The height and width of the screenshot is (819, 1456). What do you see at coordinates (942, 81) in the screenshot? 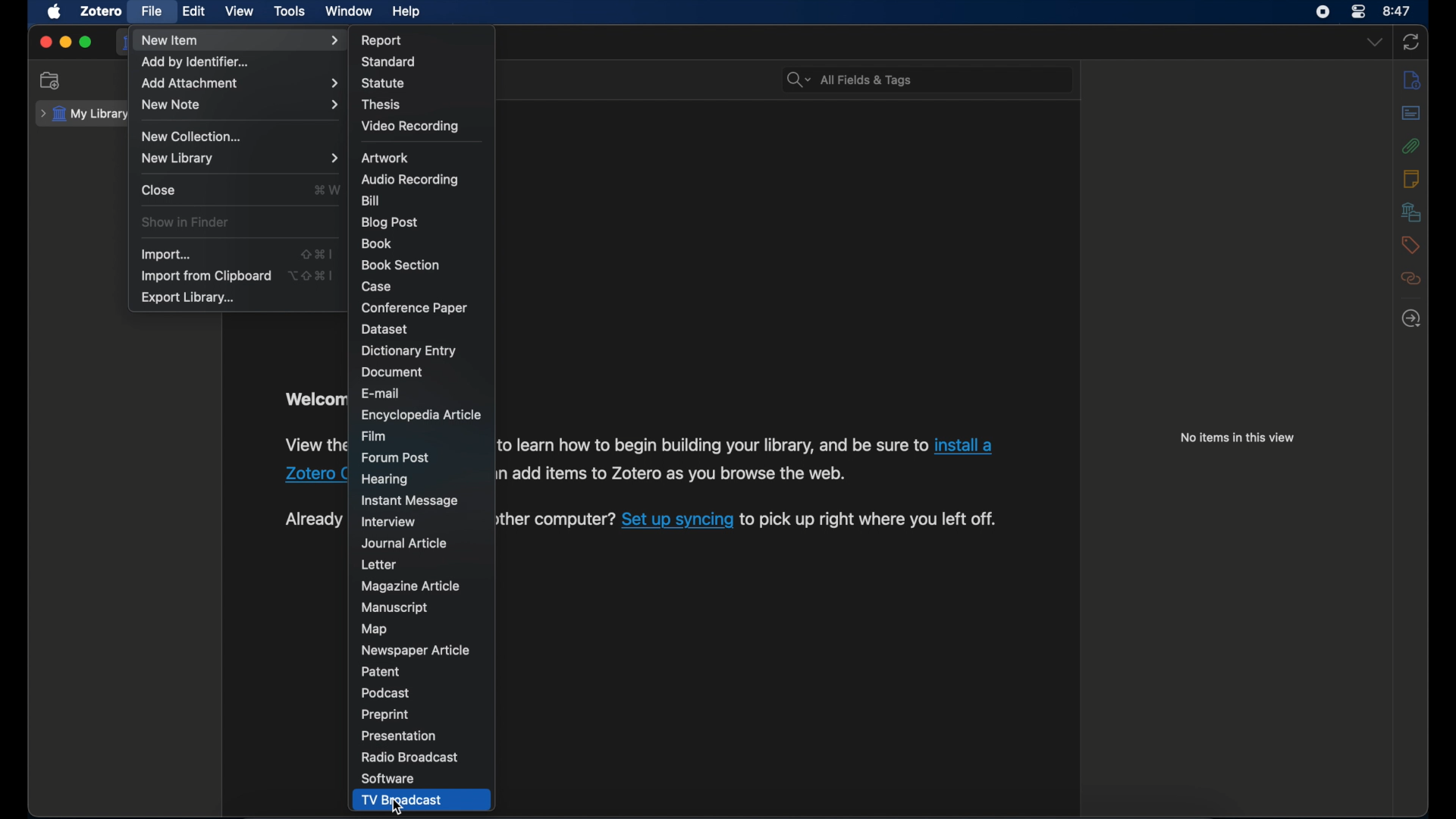
I see `search bar input` at bounding box center [942, 81].